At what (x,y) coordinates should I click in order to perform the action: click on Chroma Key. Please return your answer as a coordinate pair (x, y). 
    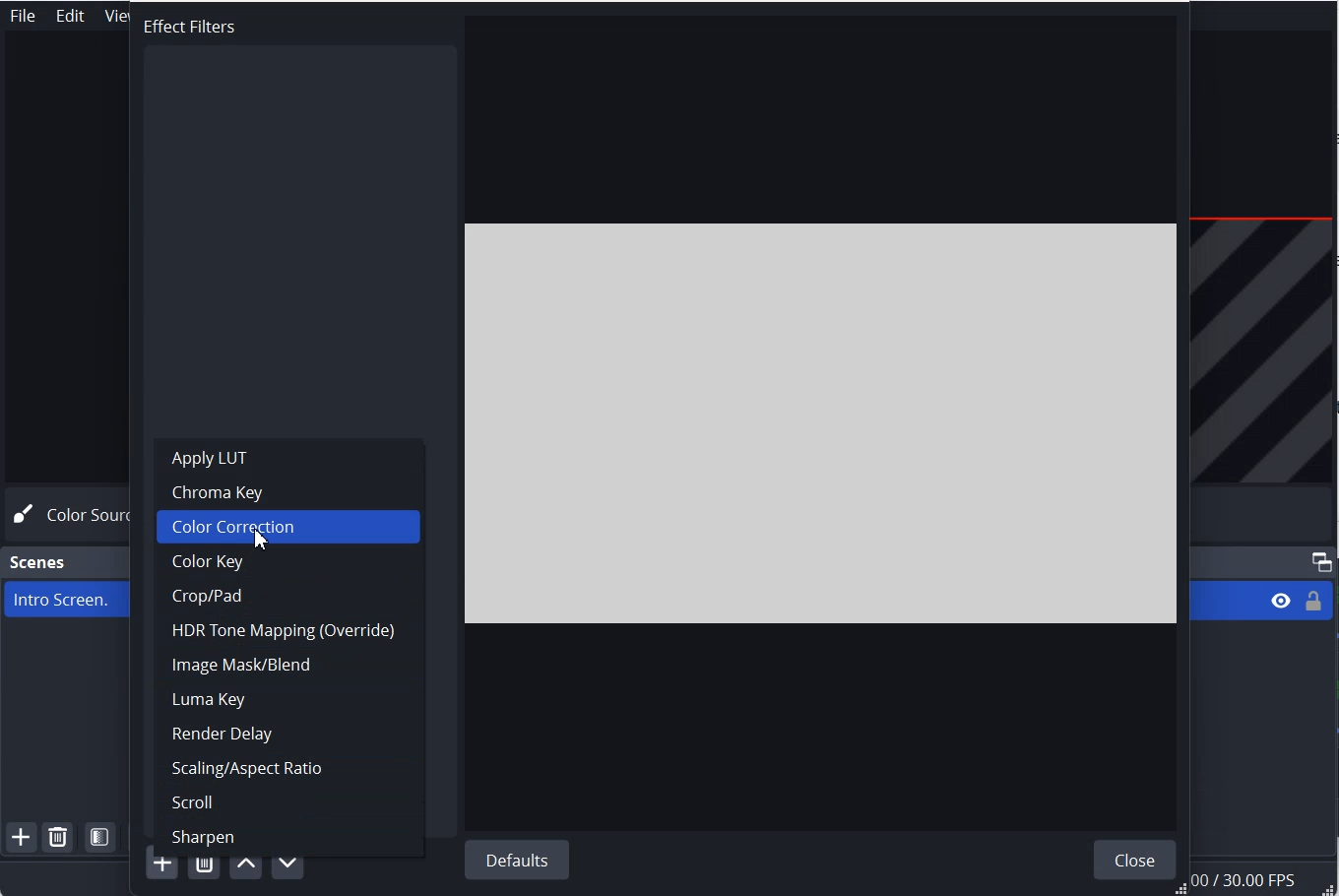
    Looking at the image, I should click on (286, 490).